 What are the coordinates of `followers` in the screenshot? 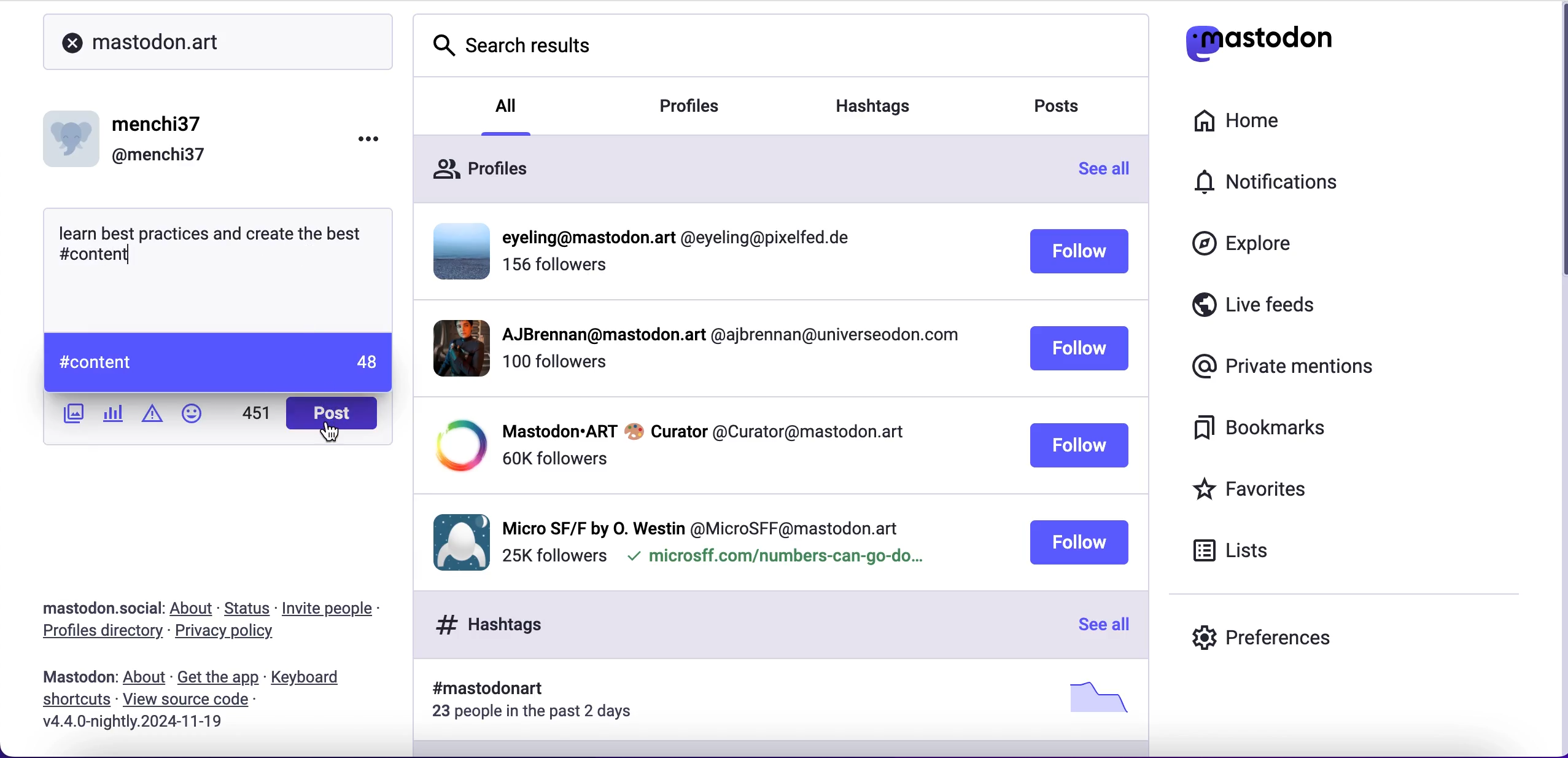 It's located at (557, 270).